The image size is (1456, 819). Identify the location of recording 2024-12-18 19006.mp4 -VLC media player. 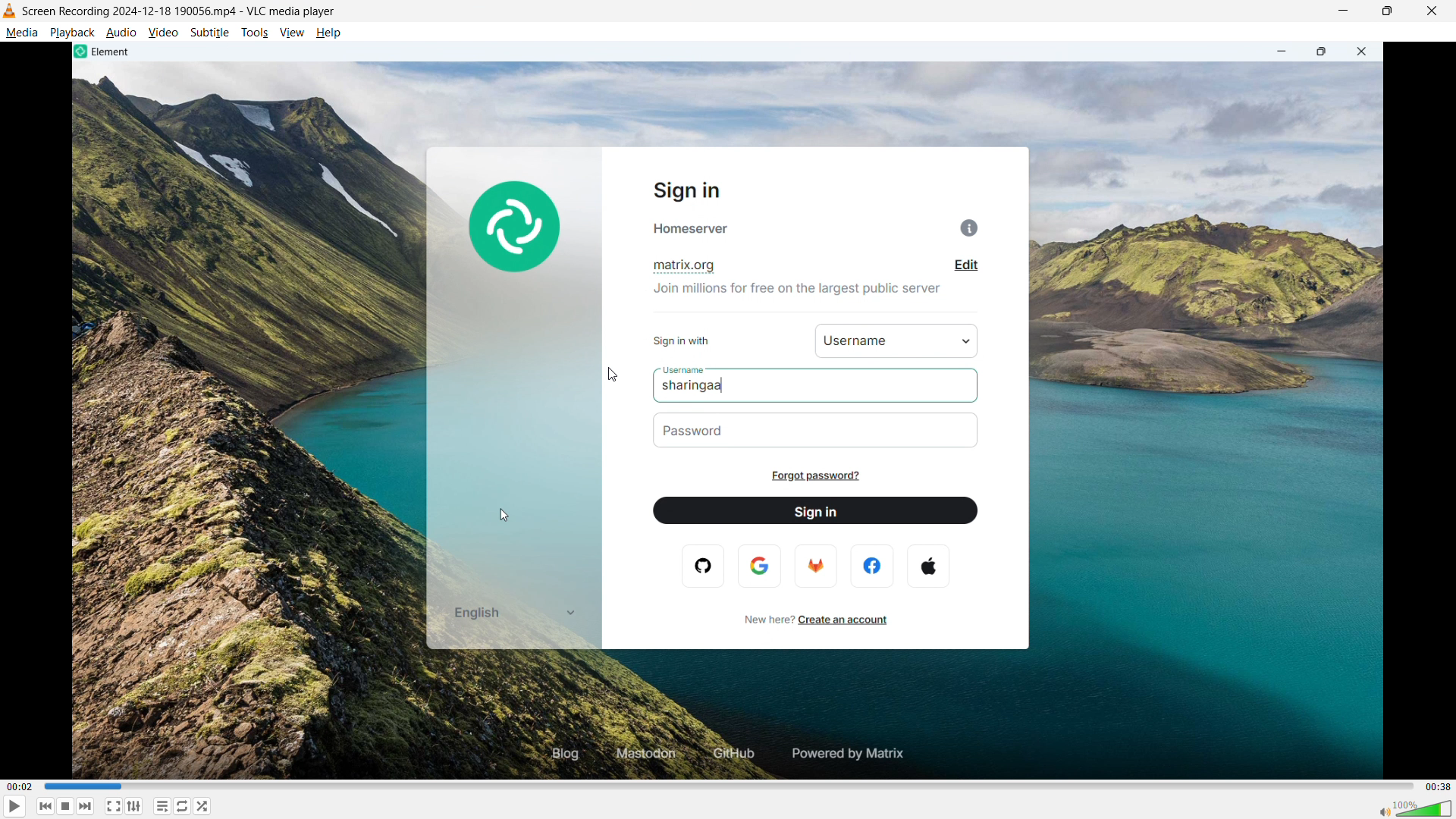
(180, 11).